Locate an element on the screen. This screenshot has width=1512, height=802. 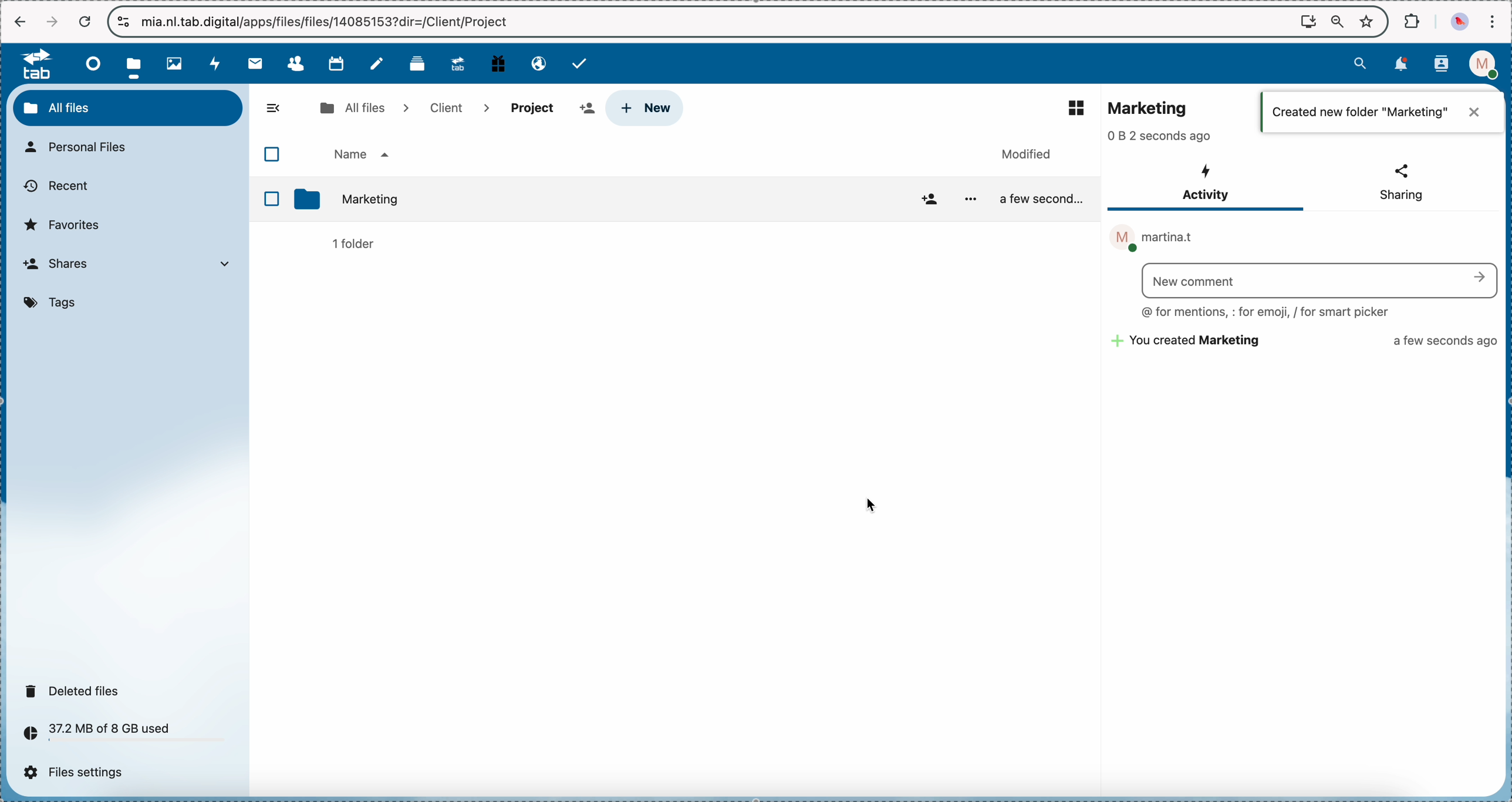
click on new button is located at coordinates (650, 109).